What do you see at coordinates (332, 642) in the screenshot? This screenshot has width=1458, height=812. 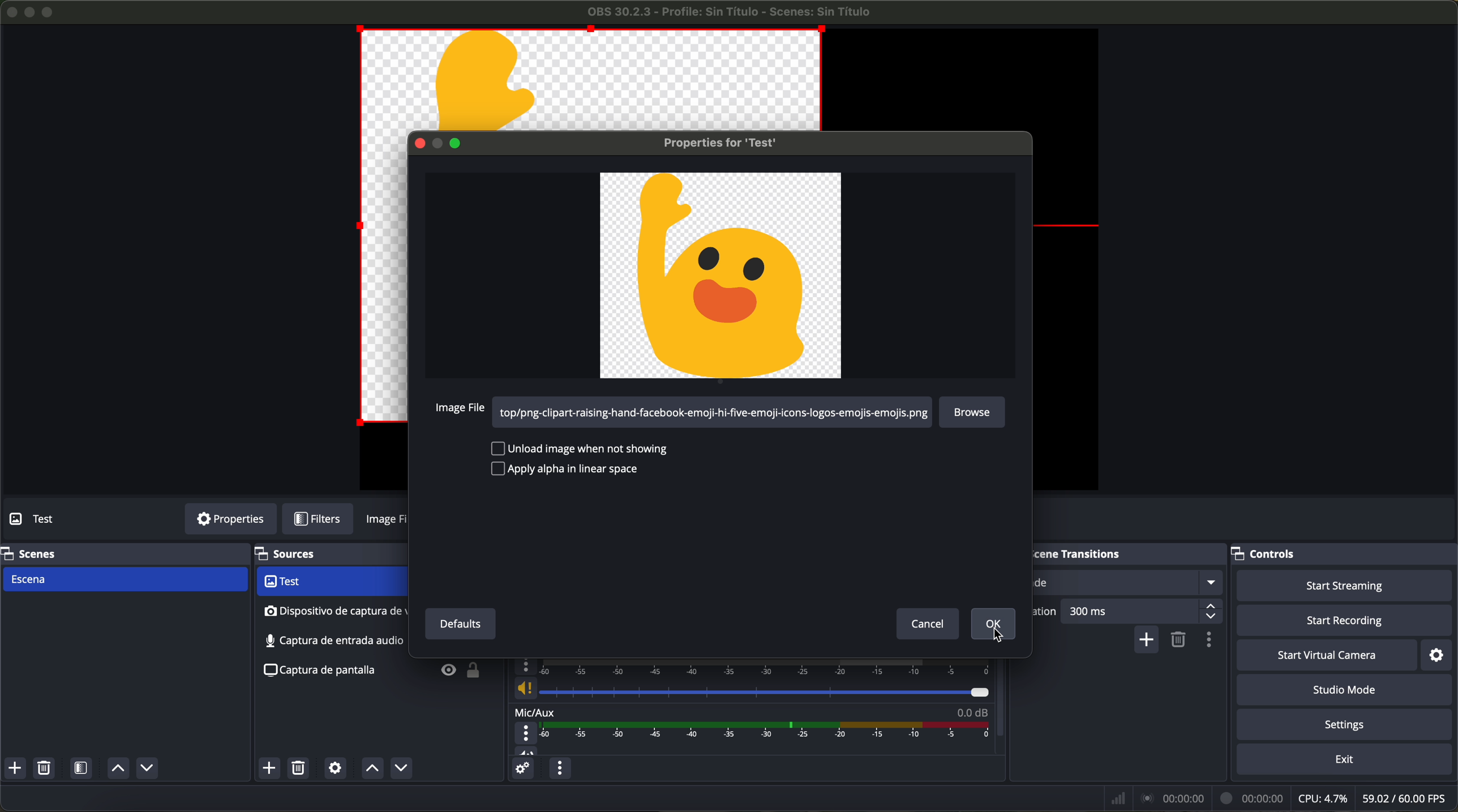 I see `screenshot` at bounding box center [332, 642].